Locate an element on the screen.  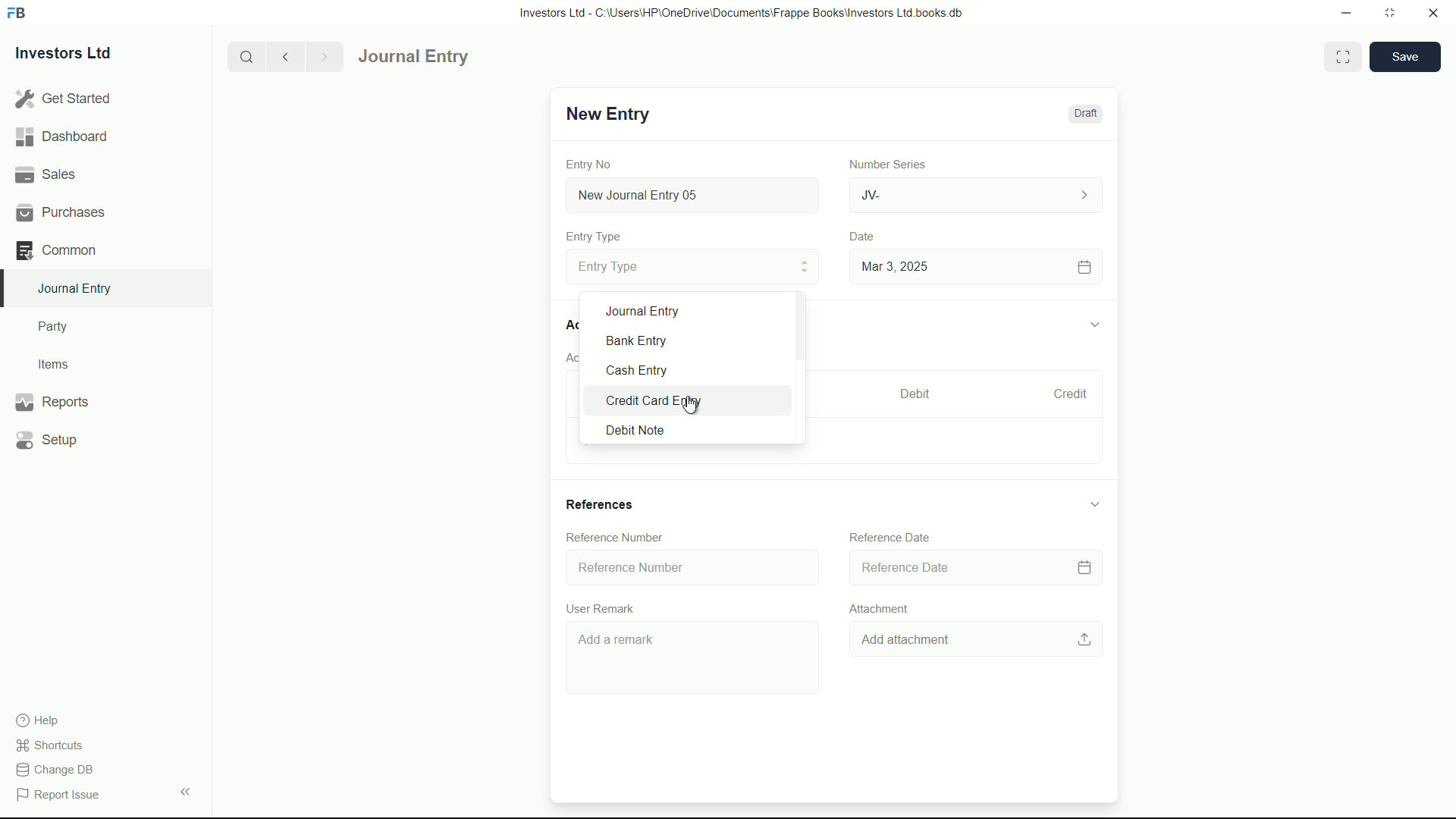
New Journal Entry 05 is located at coordinates (695, 196).